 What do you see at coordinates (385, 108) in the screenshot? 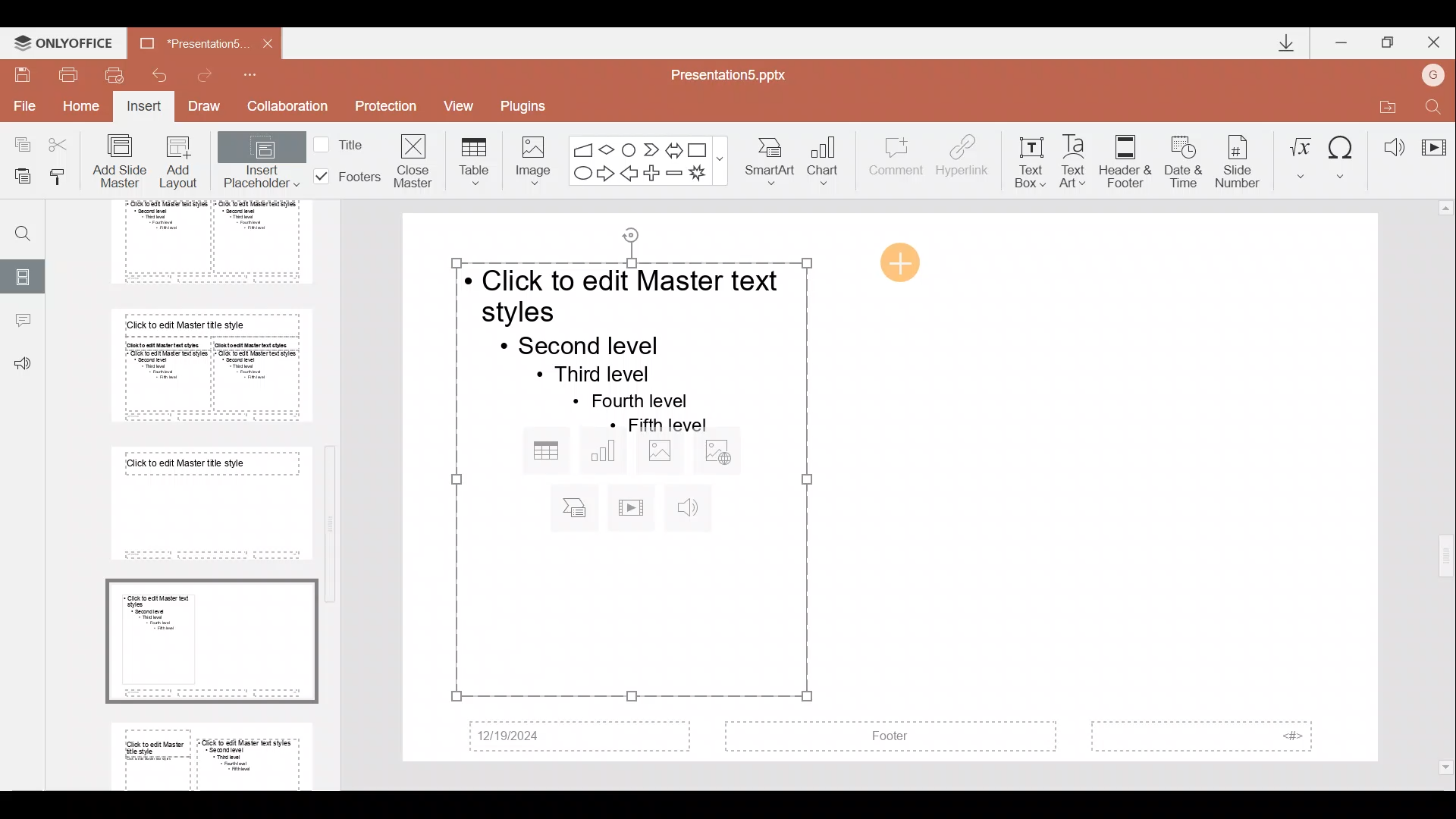
I see `Protection` at bounding box center [385, 108].